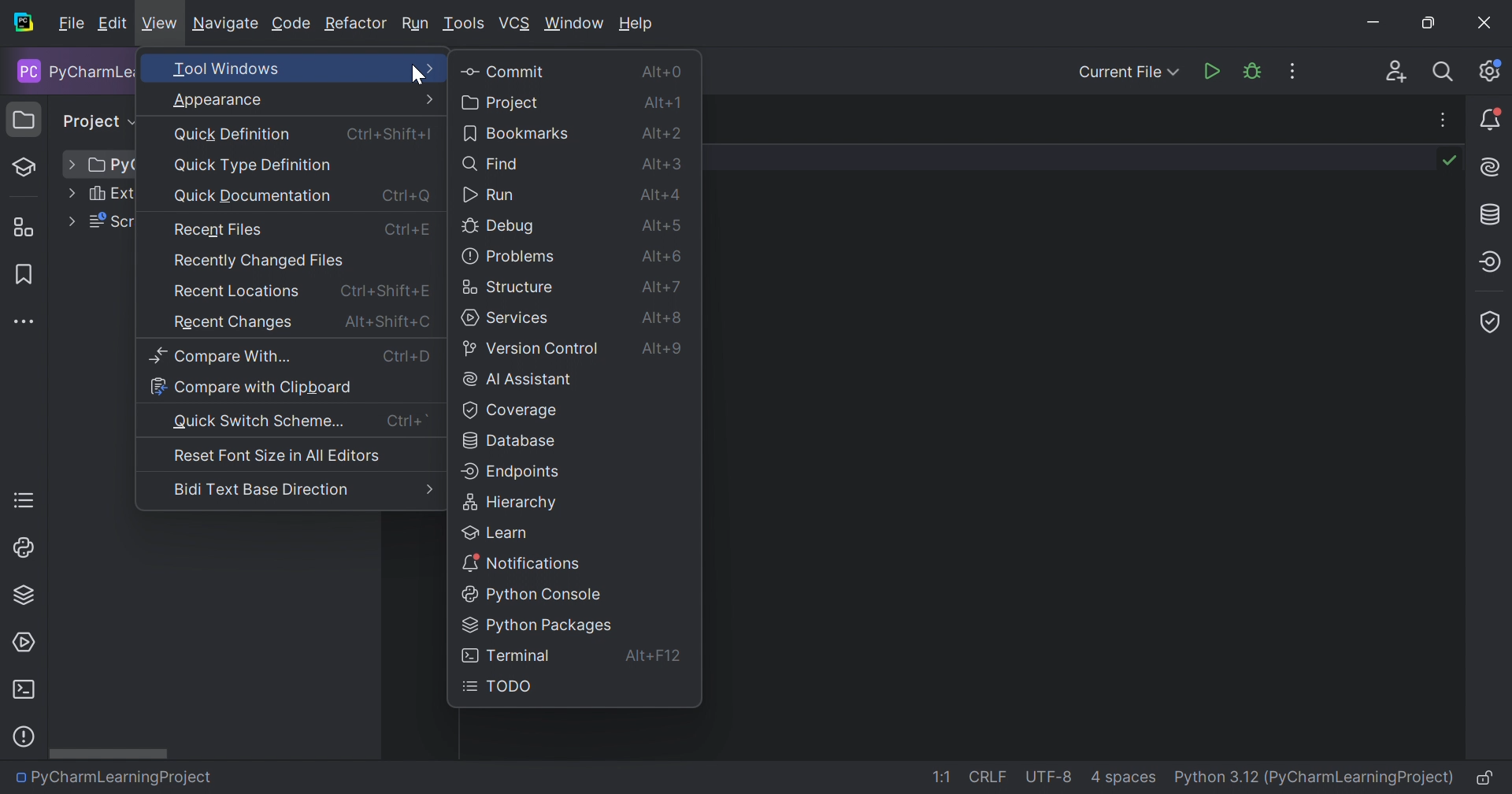 Image resolution: width=1512 pixels, height=794 pixels. I want to click on TODO, so click(24, 500).